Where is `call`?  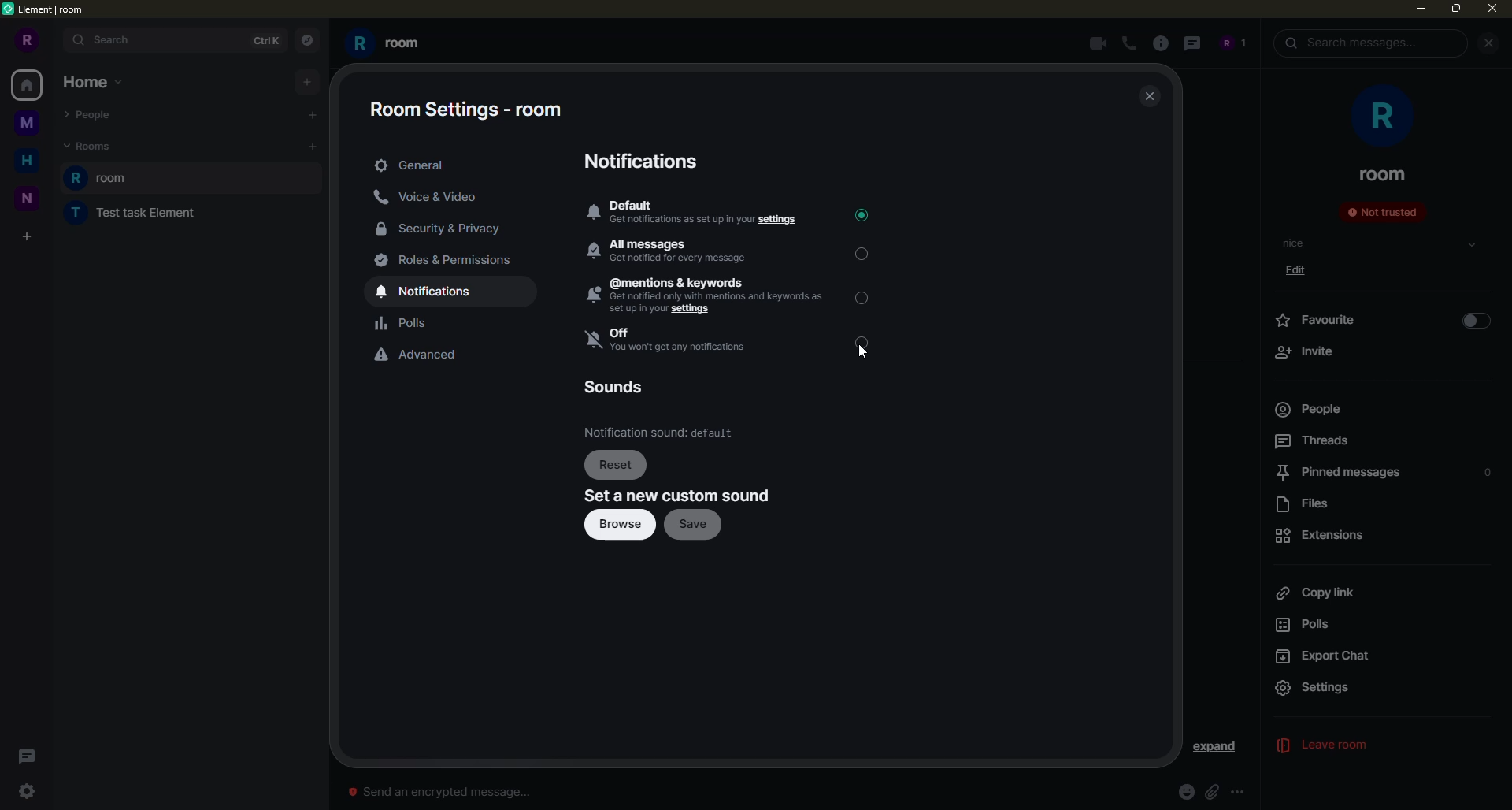
call is located at coordinates (1131, 45).